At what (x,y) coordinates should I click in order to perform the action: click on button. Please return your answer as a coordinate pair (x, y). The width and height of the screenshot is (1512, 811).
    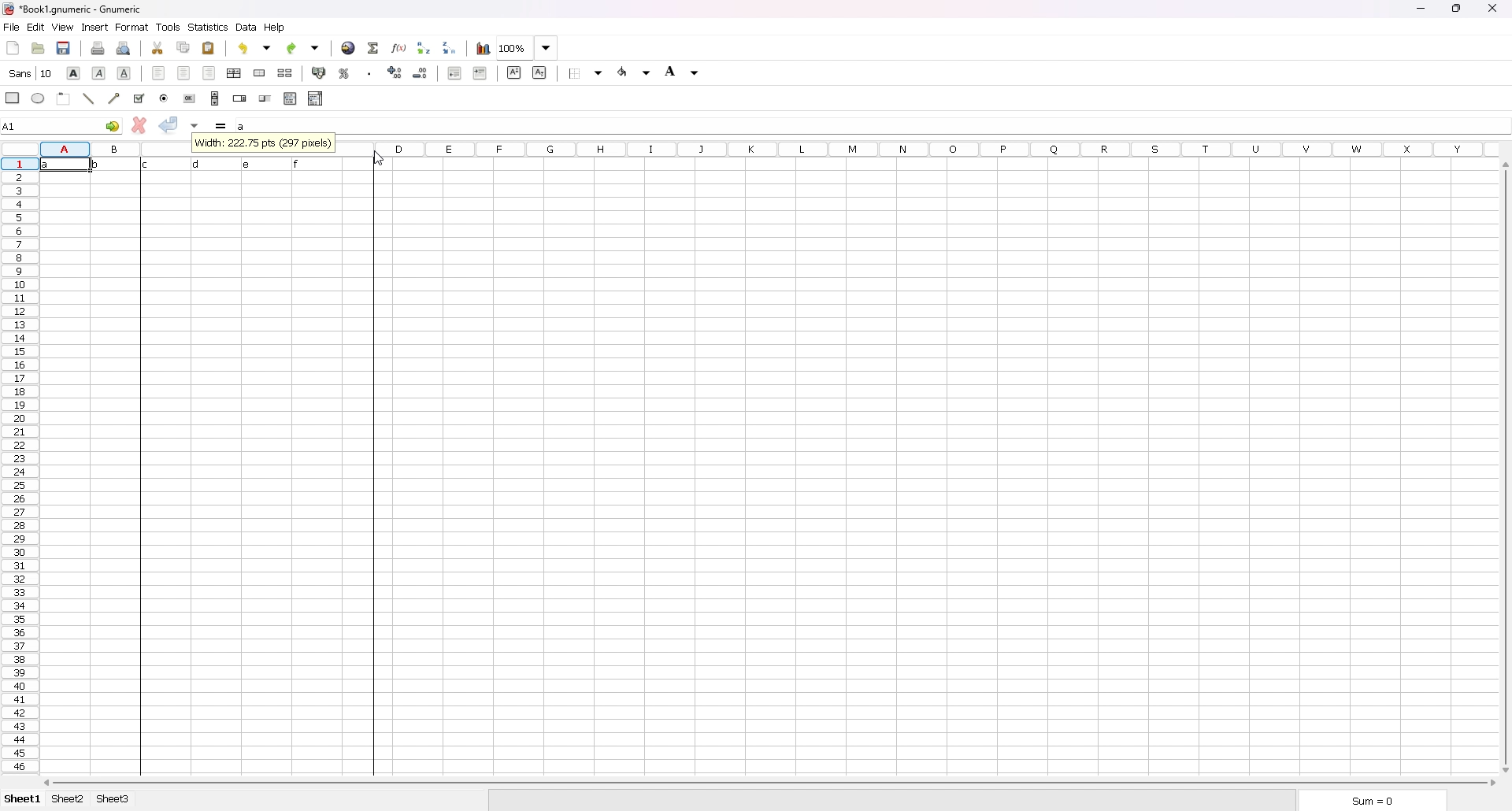
    Looking at the image, I should click on (191, 98).